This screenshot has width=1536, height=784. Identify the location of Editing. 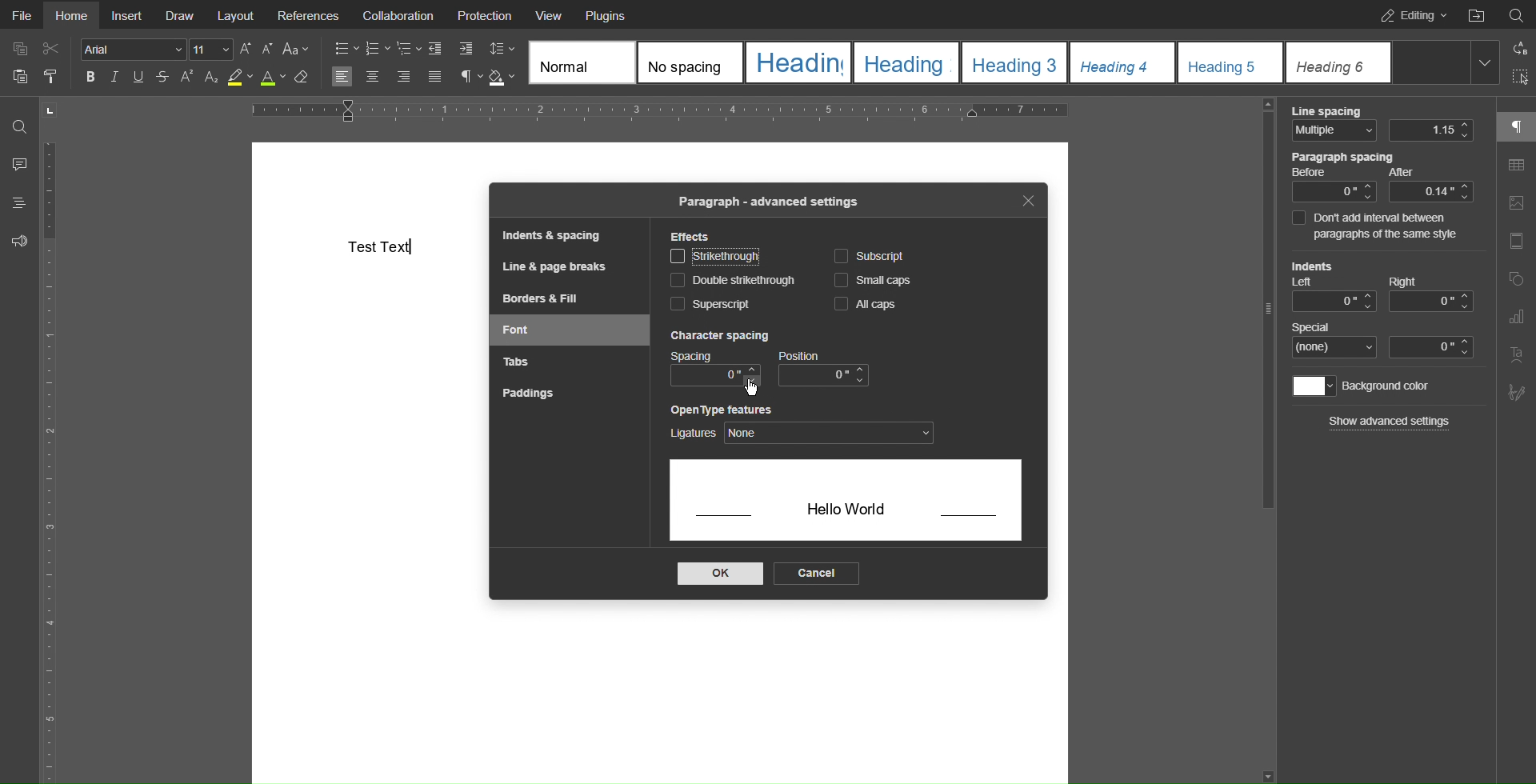
(1409, 14).